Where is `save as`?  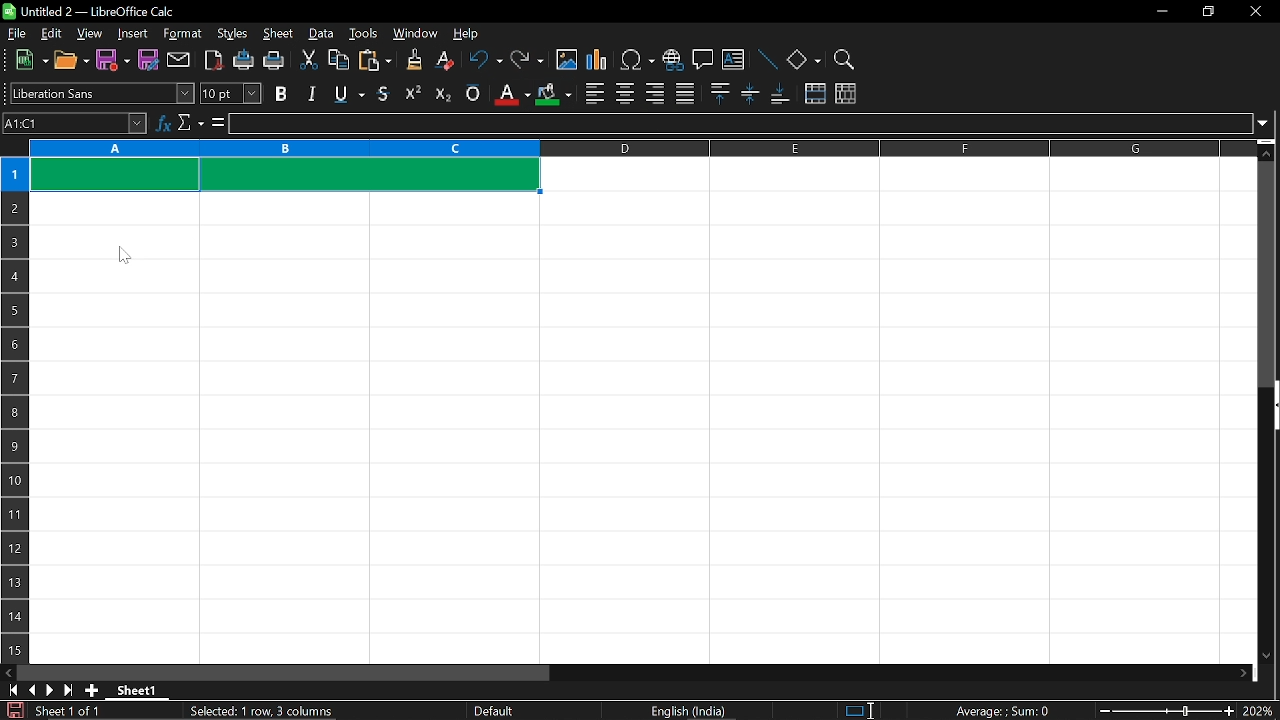
save as is located at coordinates (148, 59).